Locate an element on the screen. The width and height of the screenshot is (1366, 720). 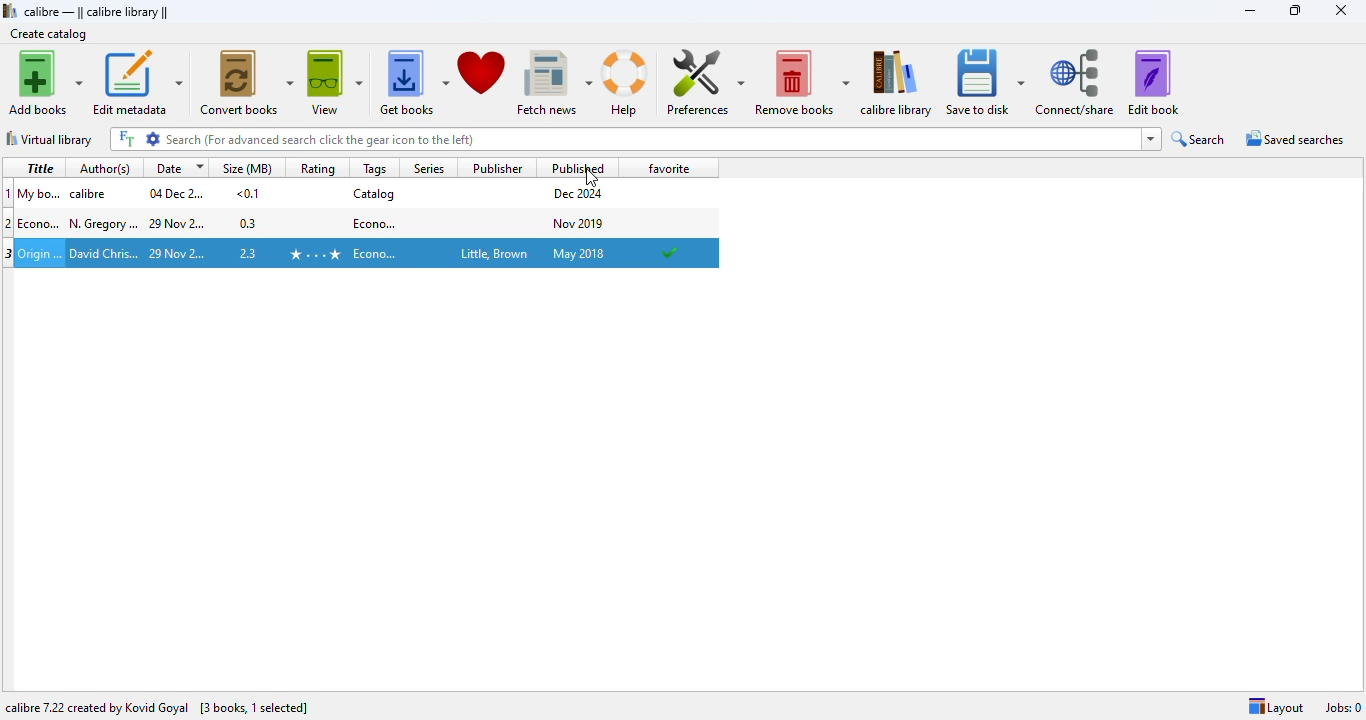
fetch news is located at coordinates (555, 83).